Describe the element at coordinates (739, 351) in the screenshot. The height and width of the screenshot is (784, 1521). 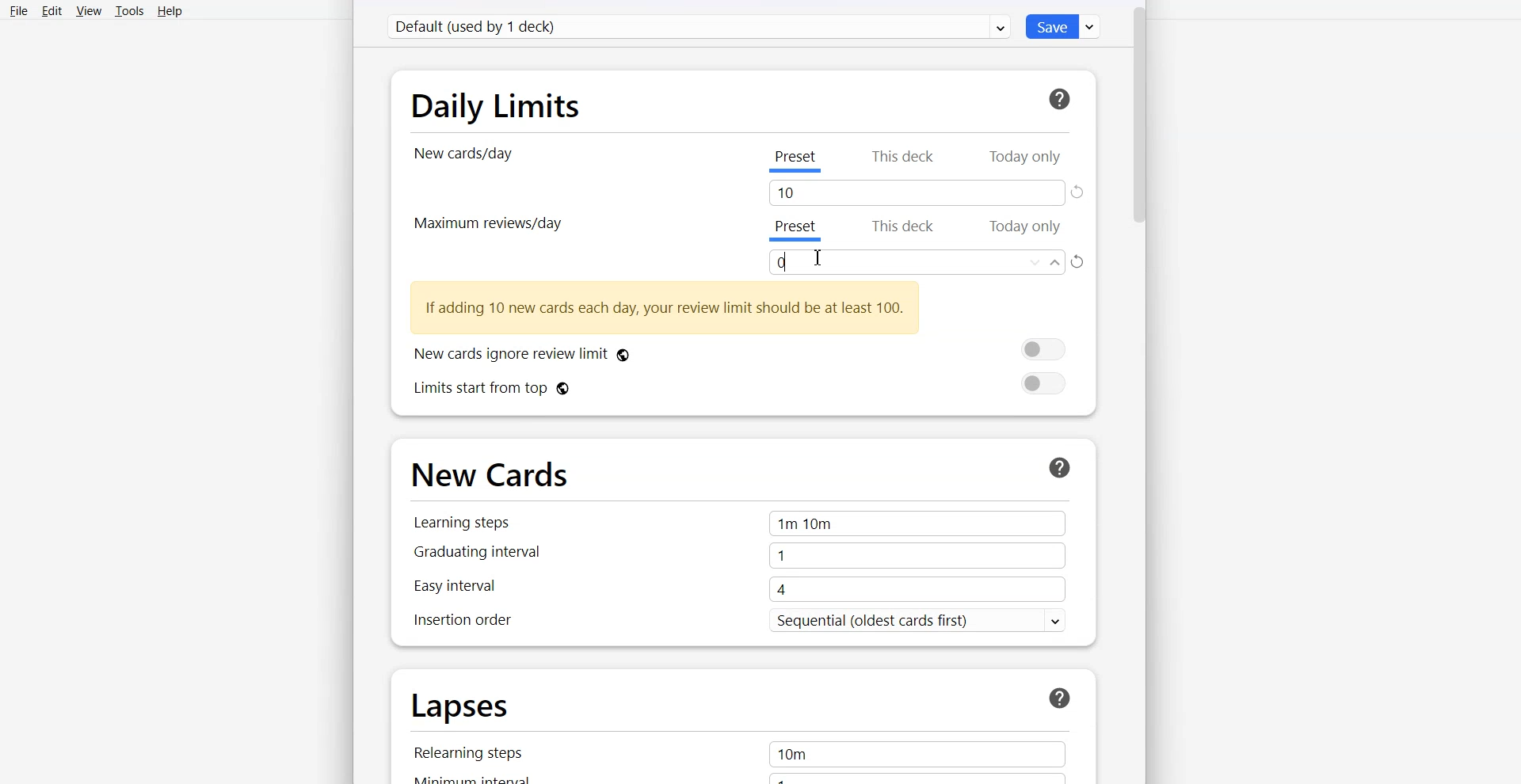
I see `New cards ignore review limit ` at that location.